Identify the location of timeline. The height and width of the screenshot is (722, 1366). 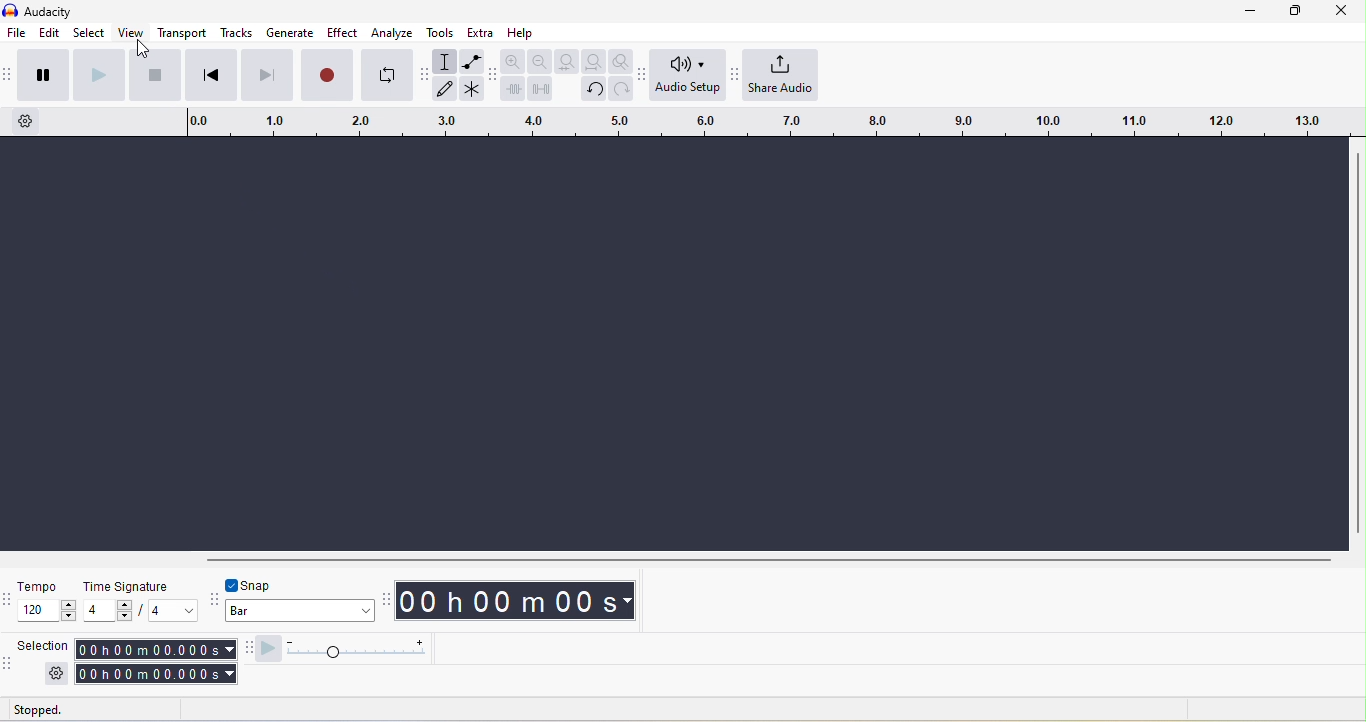
(770, 122).